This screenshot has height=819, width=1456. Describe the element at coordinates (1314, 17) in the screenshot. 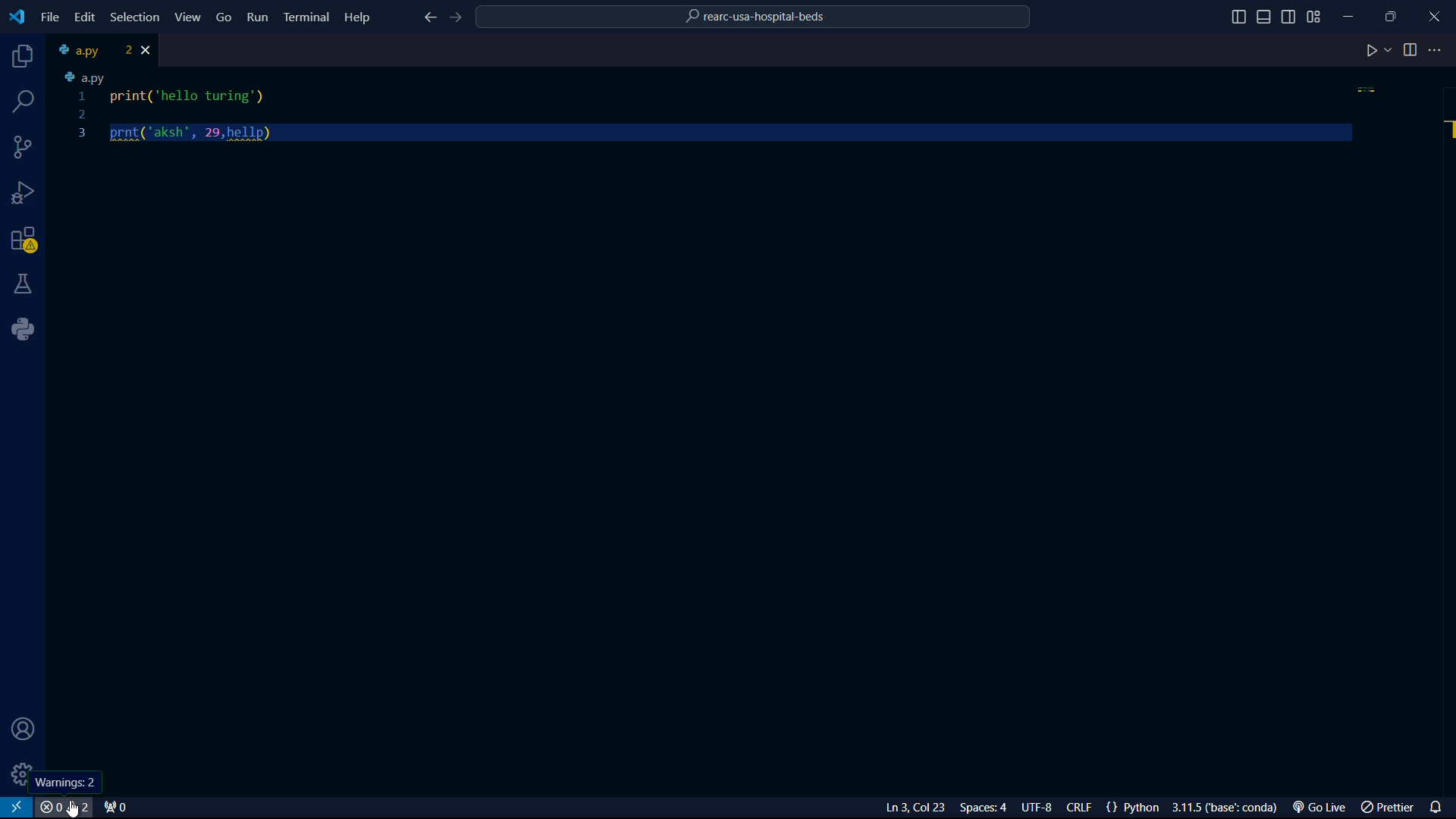

I see `grid view` at that location.